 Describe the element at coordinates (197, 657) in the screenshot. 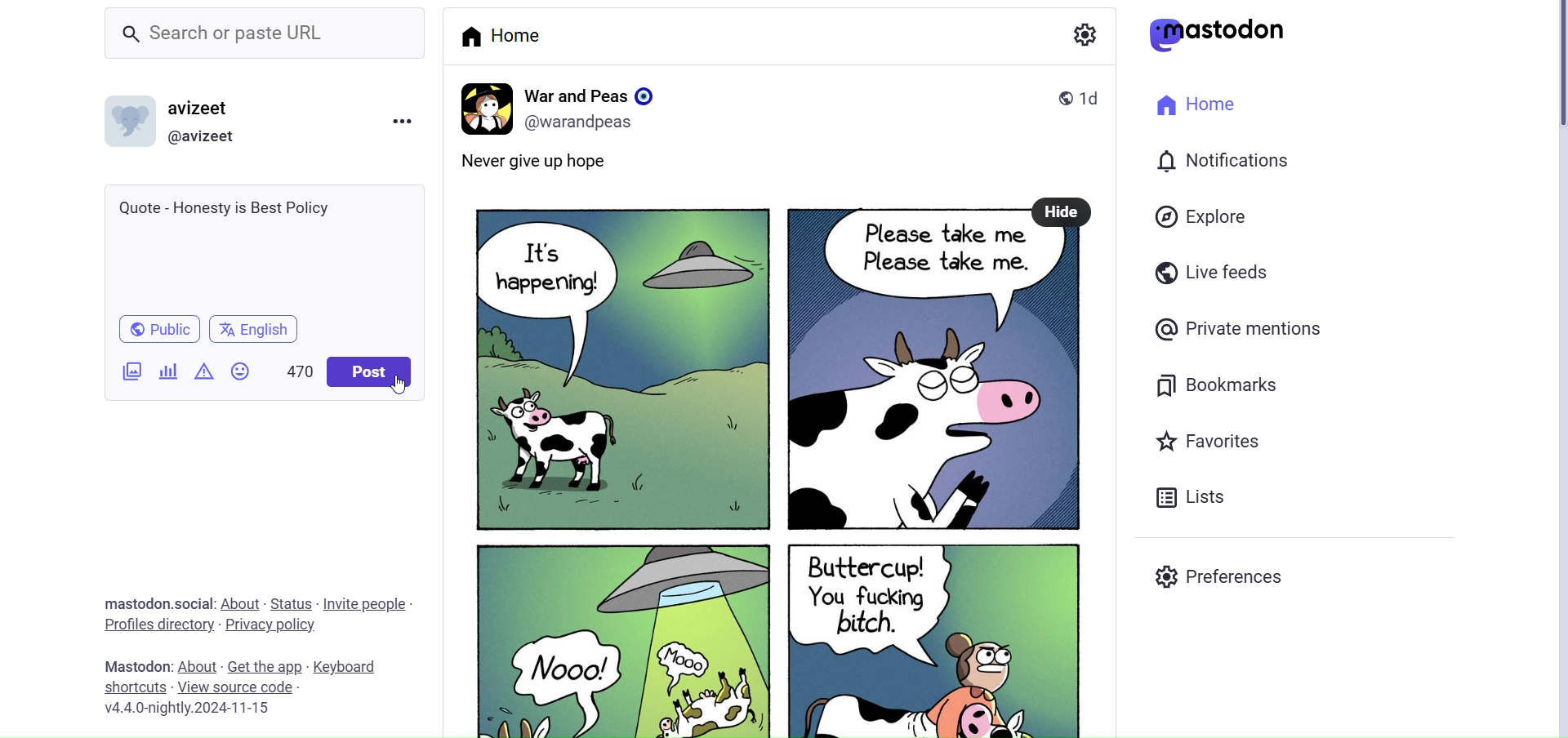

I see `About` at that location.